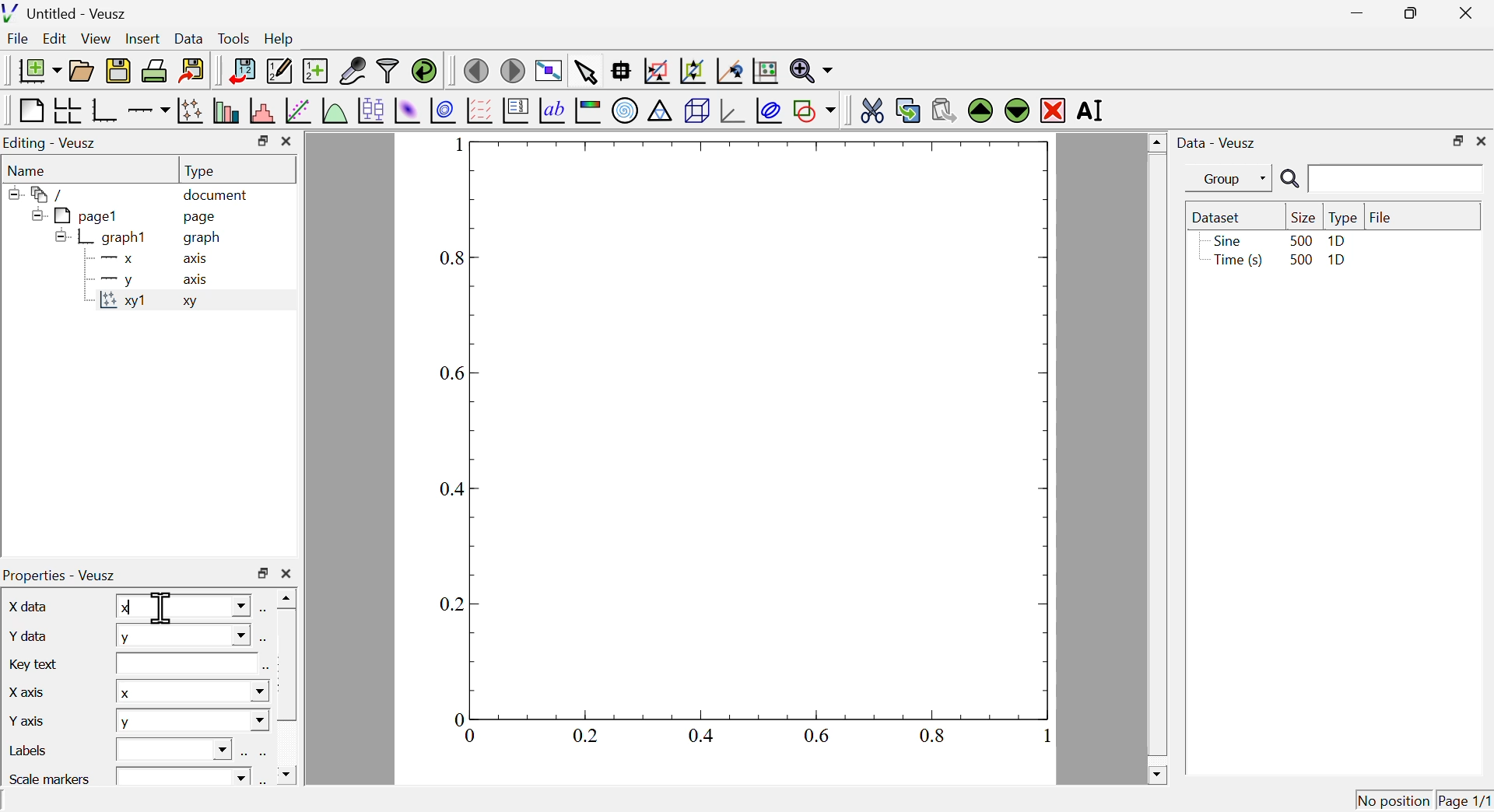 This screenshot has width=1494, height=812. Describe the element at coordinates (65, 575) in the screenshot. I see `properties veusz` at that location.